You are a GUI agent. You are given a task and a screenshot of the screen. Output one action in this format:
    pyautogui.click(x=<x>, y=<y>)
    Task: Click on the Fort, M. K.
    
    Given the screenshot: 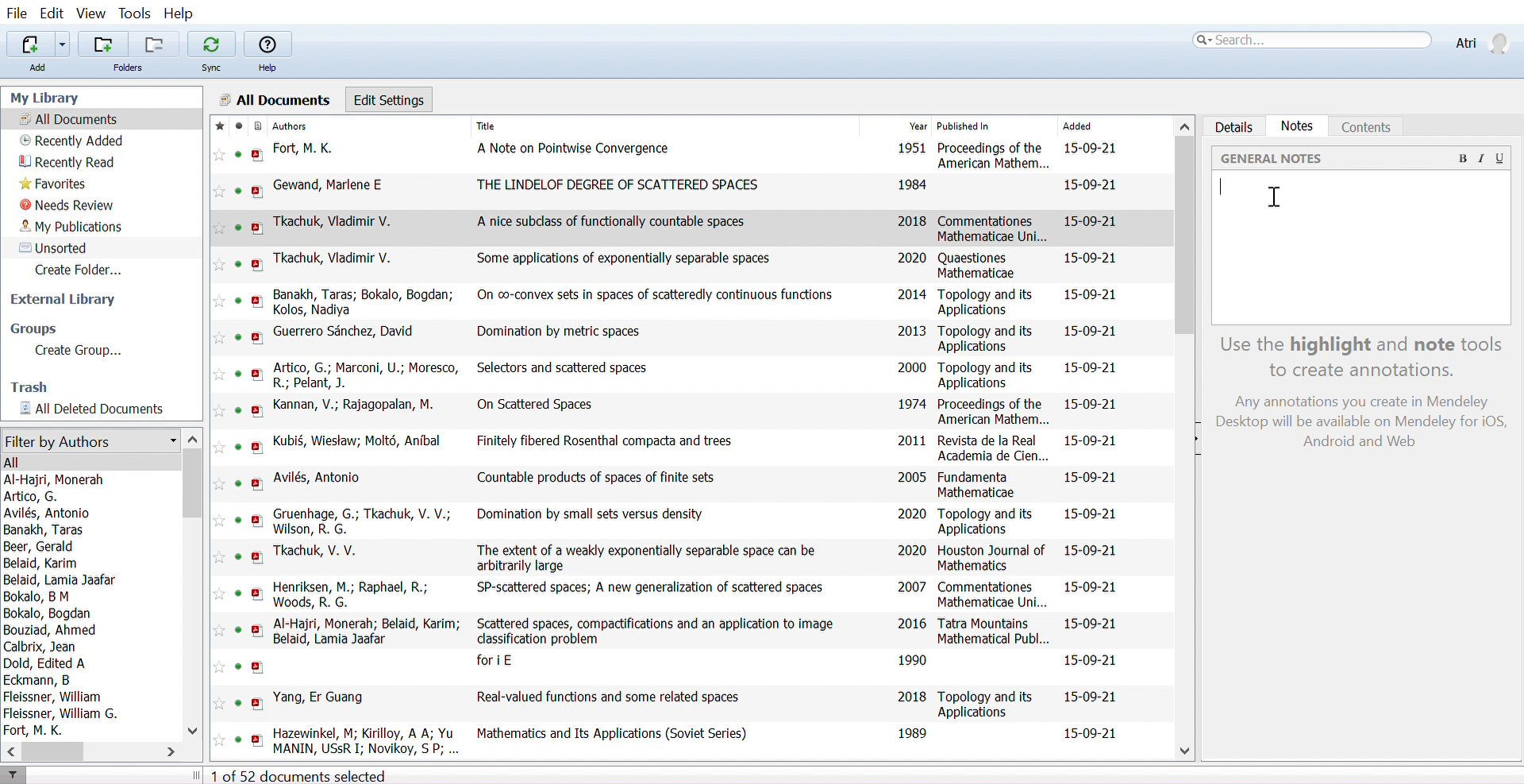 What is the action you would take?
    pyautogui.click(x=38, y=730)
    